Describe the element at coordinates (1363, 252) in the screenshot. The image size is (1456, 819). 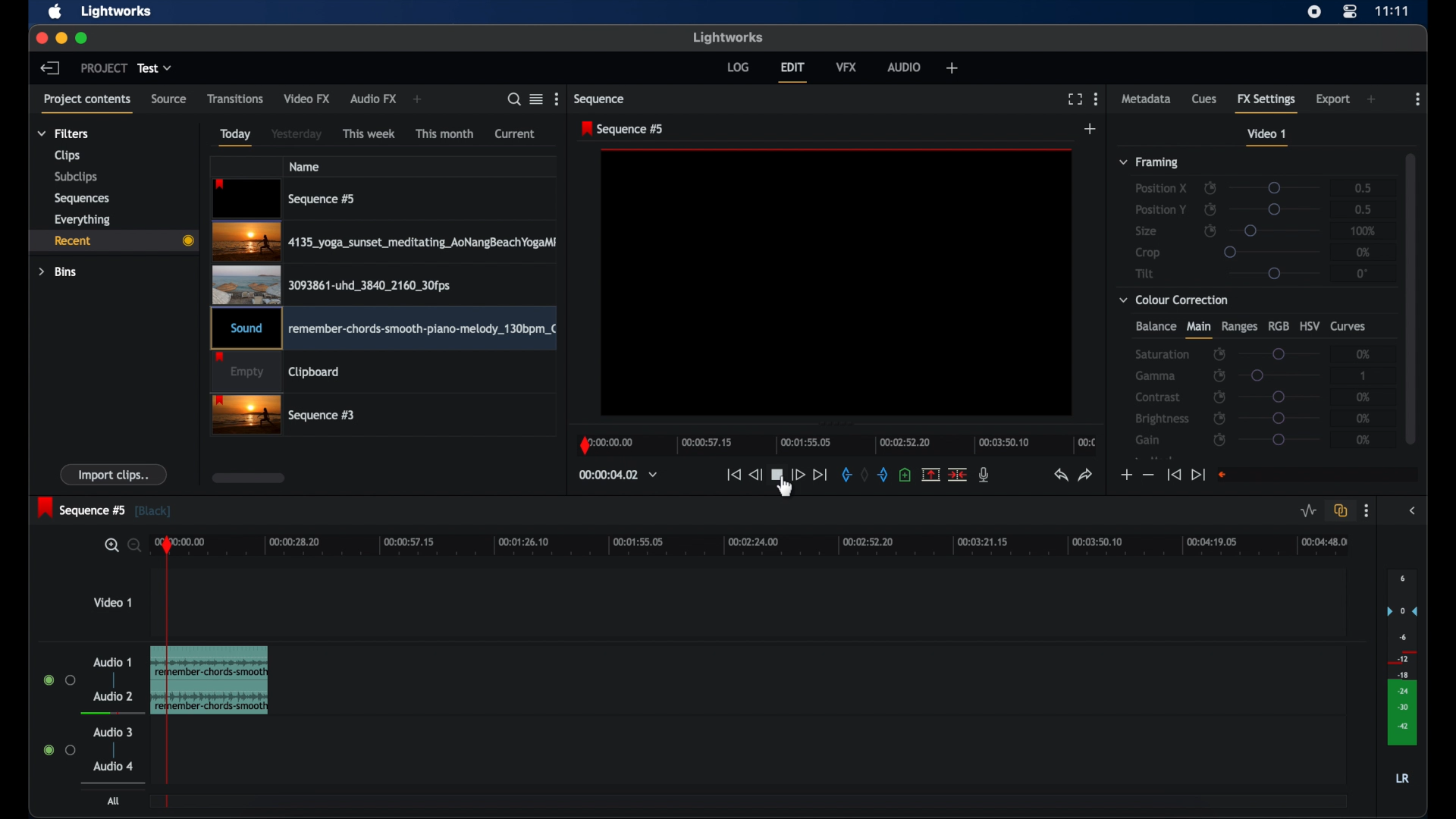
I see `0%` at that location.